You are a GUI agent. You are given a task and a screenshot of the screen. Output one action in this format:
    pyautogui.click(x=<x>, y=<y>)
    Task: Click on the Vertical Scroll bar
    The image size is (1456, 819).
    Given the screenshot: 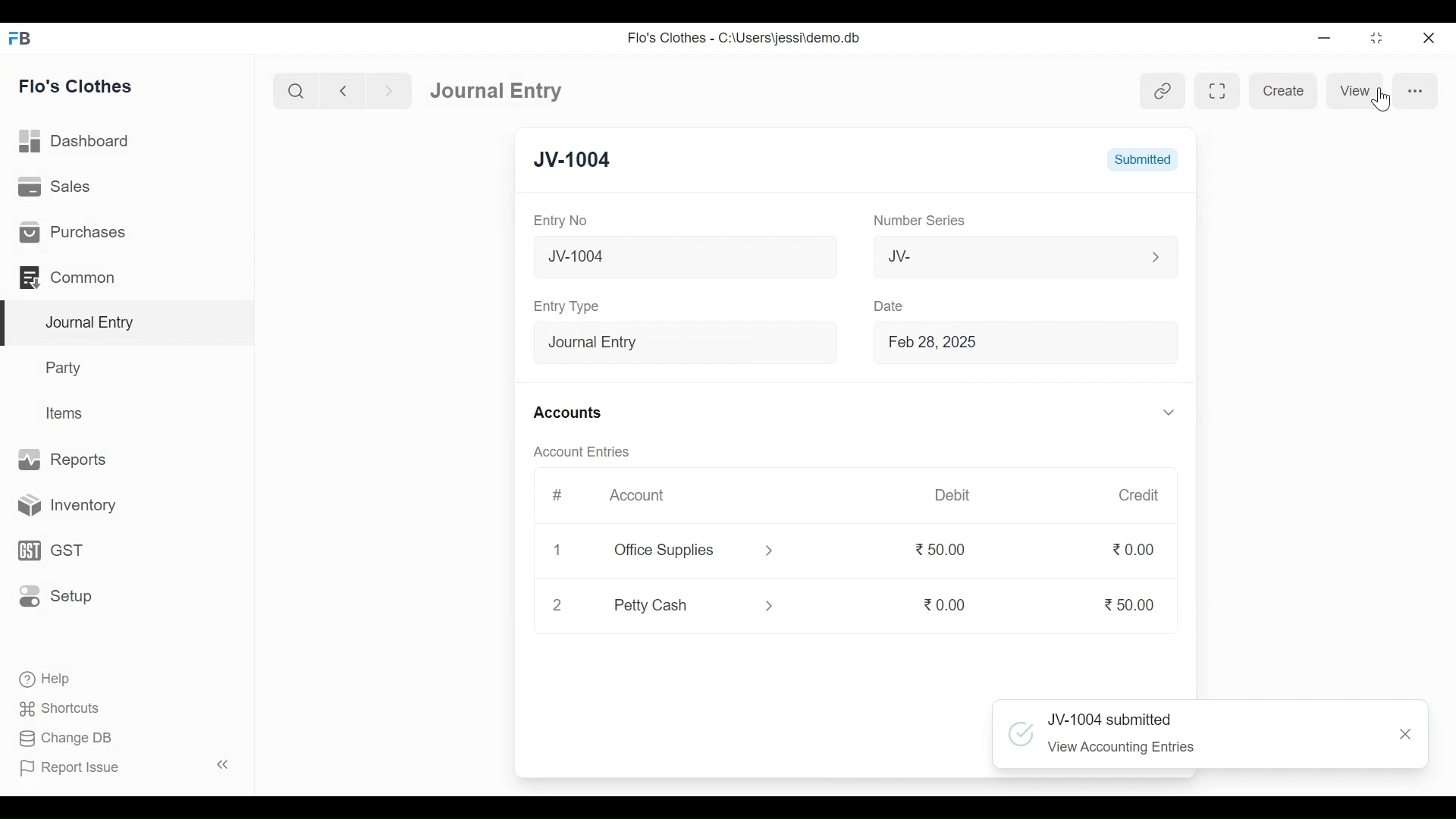 What is the action you would take?
    pyautogui.click(x=1193, y=428)
    